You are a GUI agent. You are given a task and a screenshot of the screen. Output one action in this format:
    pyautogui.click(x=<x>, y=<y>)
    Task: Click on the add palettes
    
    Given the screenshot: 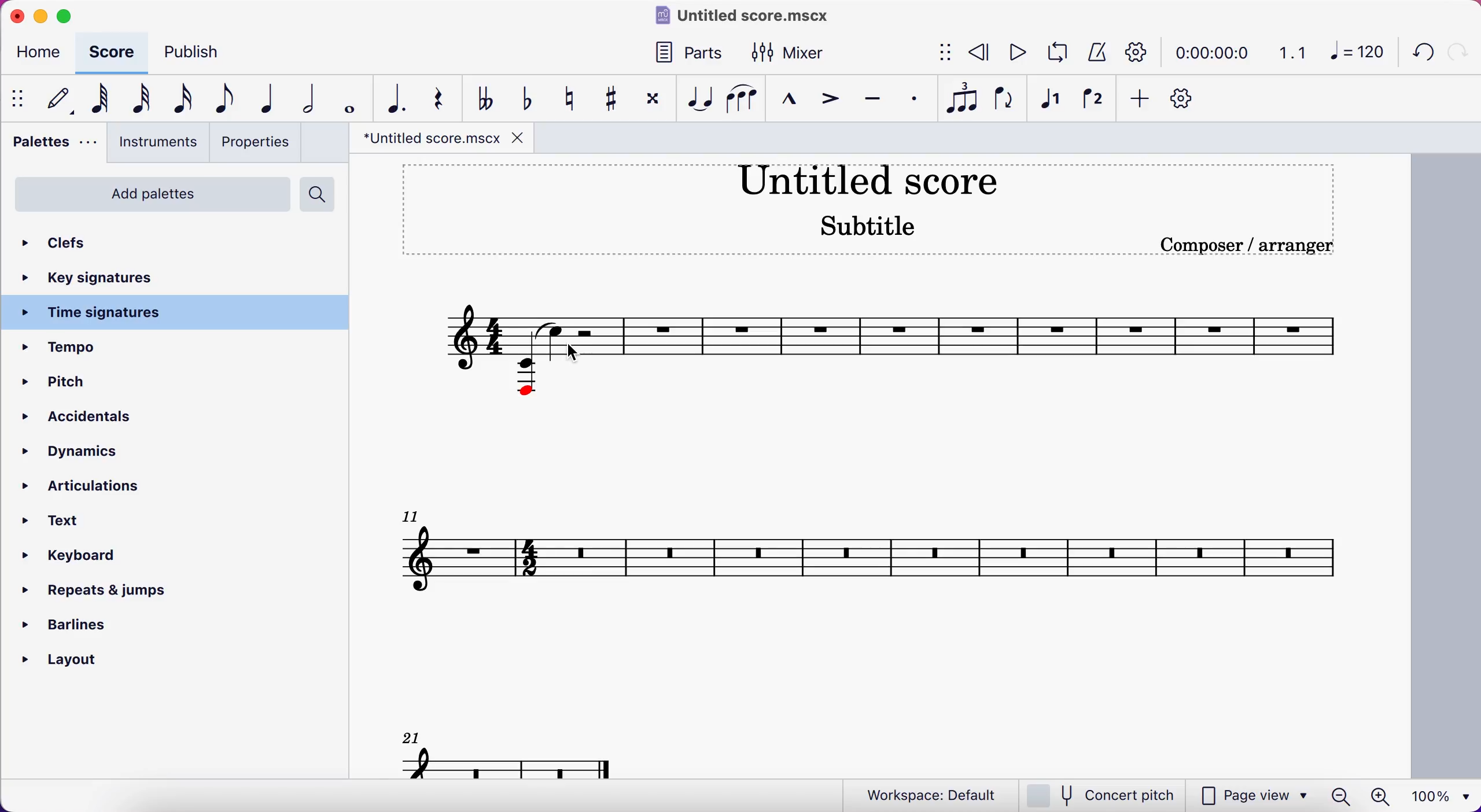 What is the action you would take?
    pyautogui.click(x=149, y=195)
    